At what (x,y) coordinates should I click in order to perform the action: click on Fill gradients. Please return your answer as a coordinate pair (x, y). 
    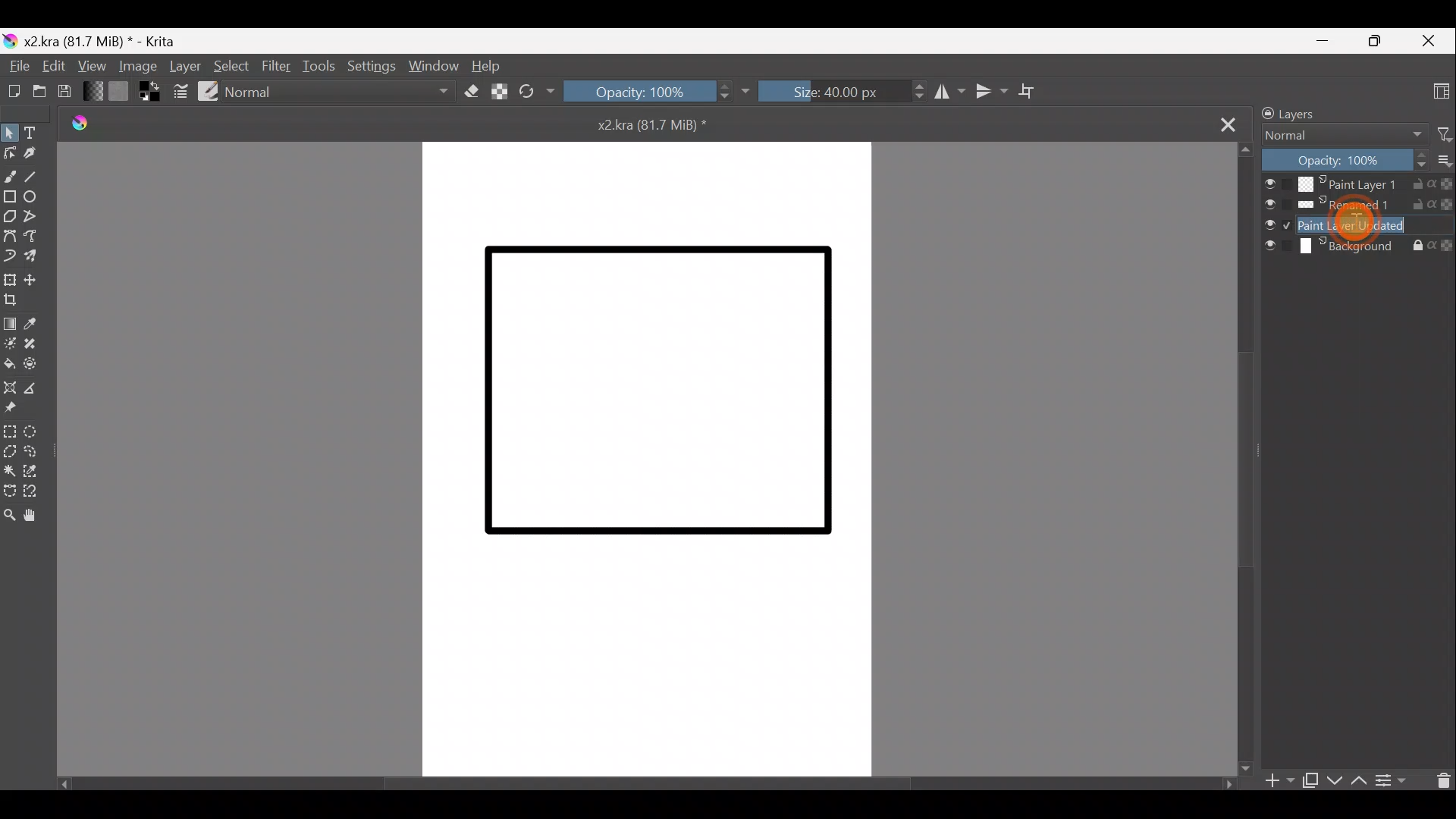
    Looking at the image, I should click on (93, 92).